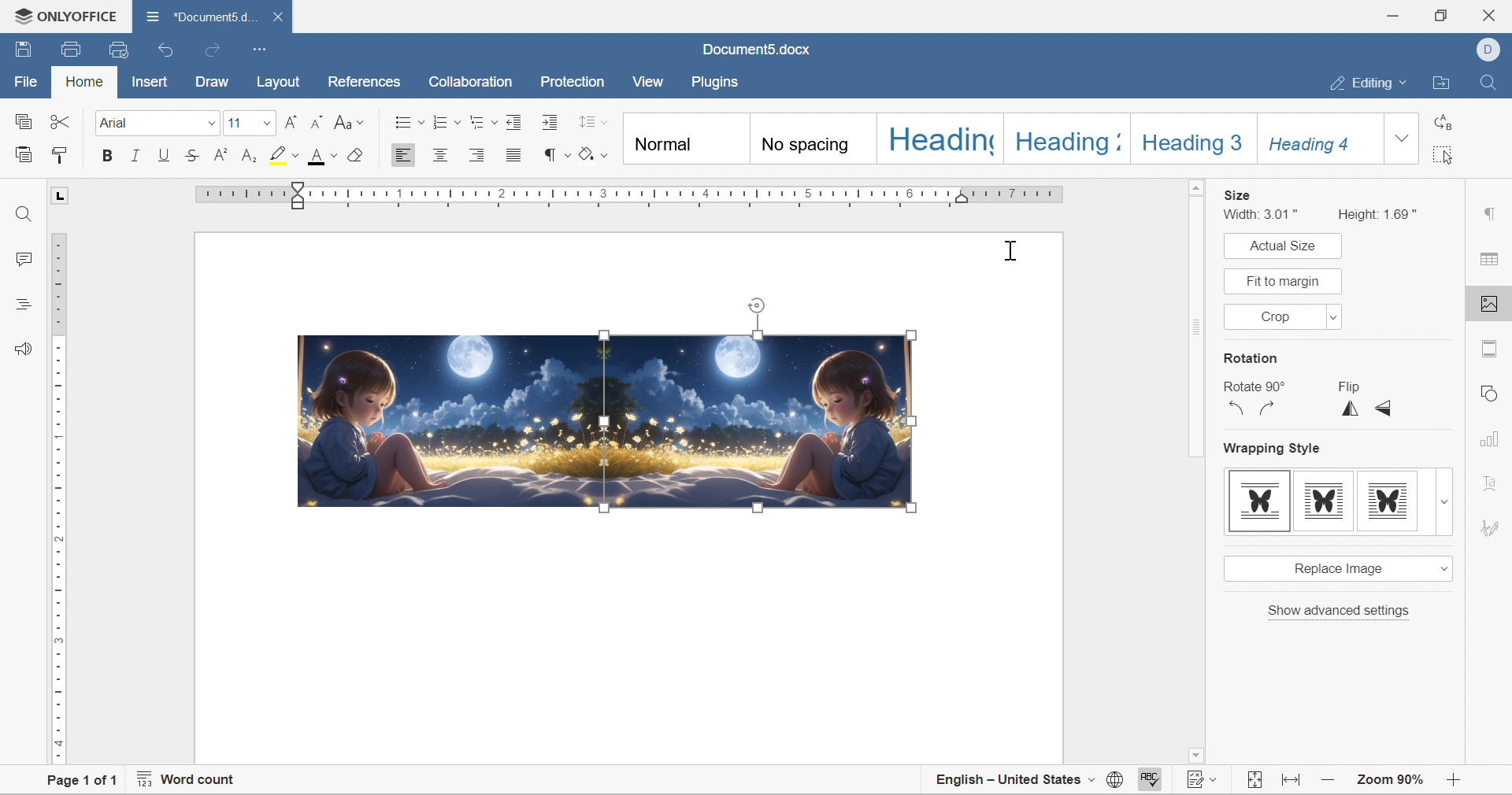 This screenshot has height=795, width=1512. Describe the element at coordinates (516, 121) in the screenshot. I see `decrease indent` at that location.